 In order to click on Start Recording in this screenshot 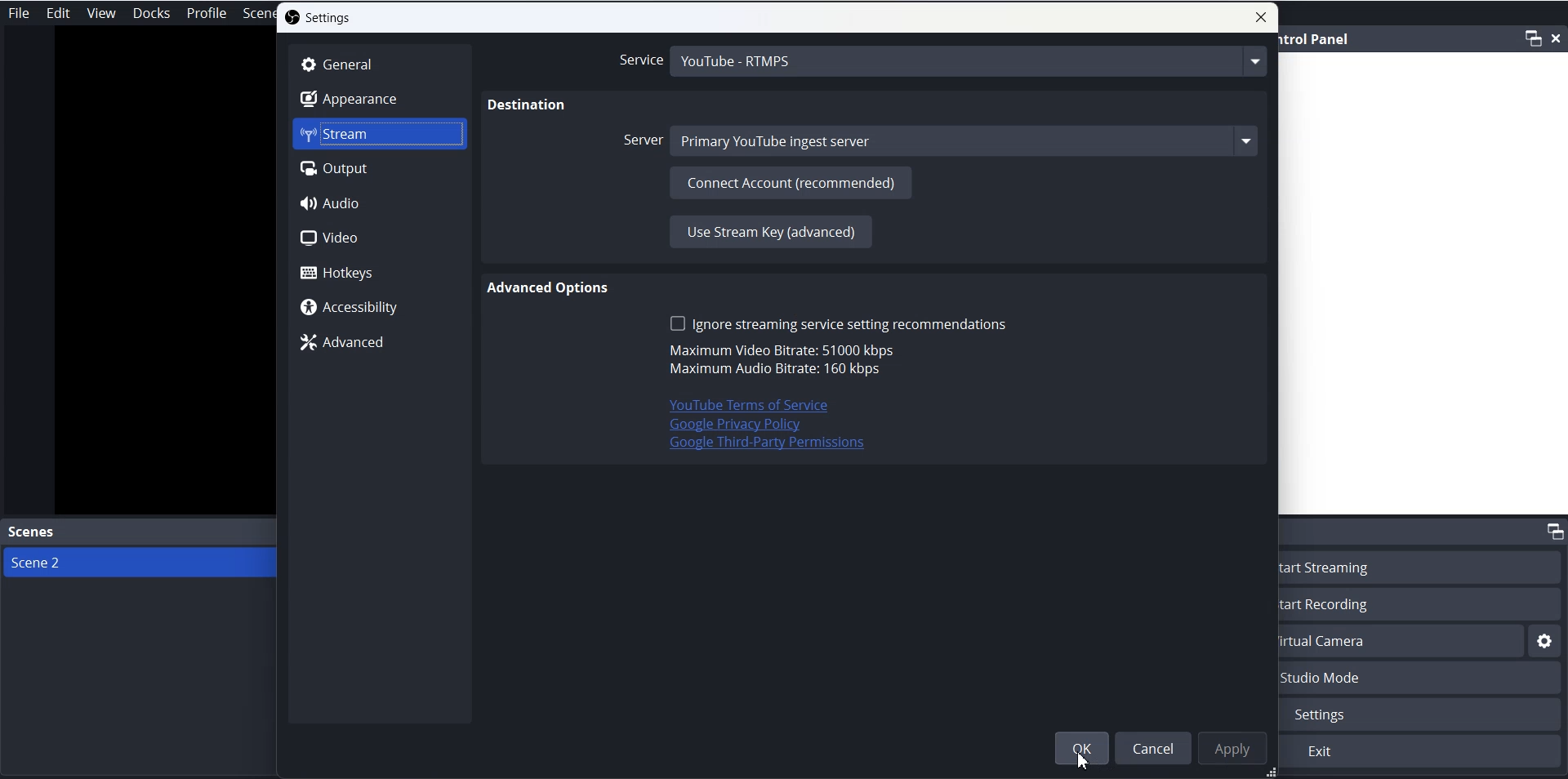, I will do `click(1424, 603)`.